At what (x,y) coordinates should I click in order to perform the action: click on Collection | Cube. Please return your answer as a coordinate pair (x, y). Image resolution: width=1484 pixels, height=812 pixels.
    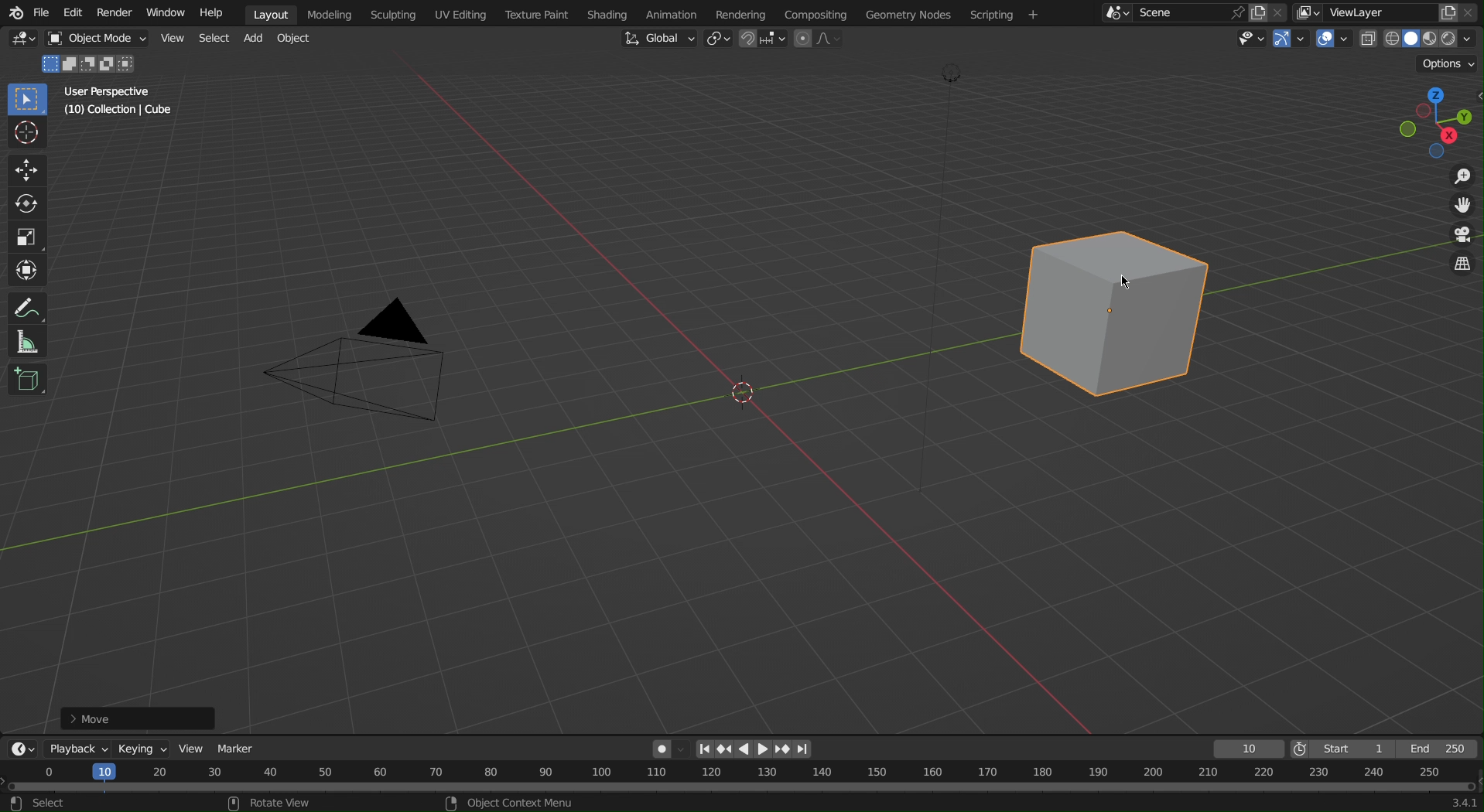
    Looking at the image, I should click on (120, 112).